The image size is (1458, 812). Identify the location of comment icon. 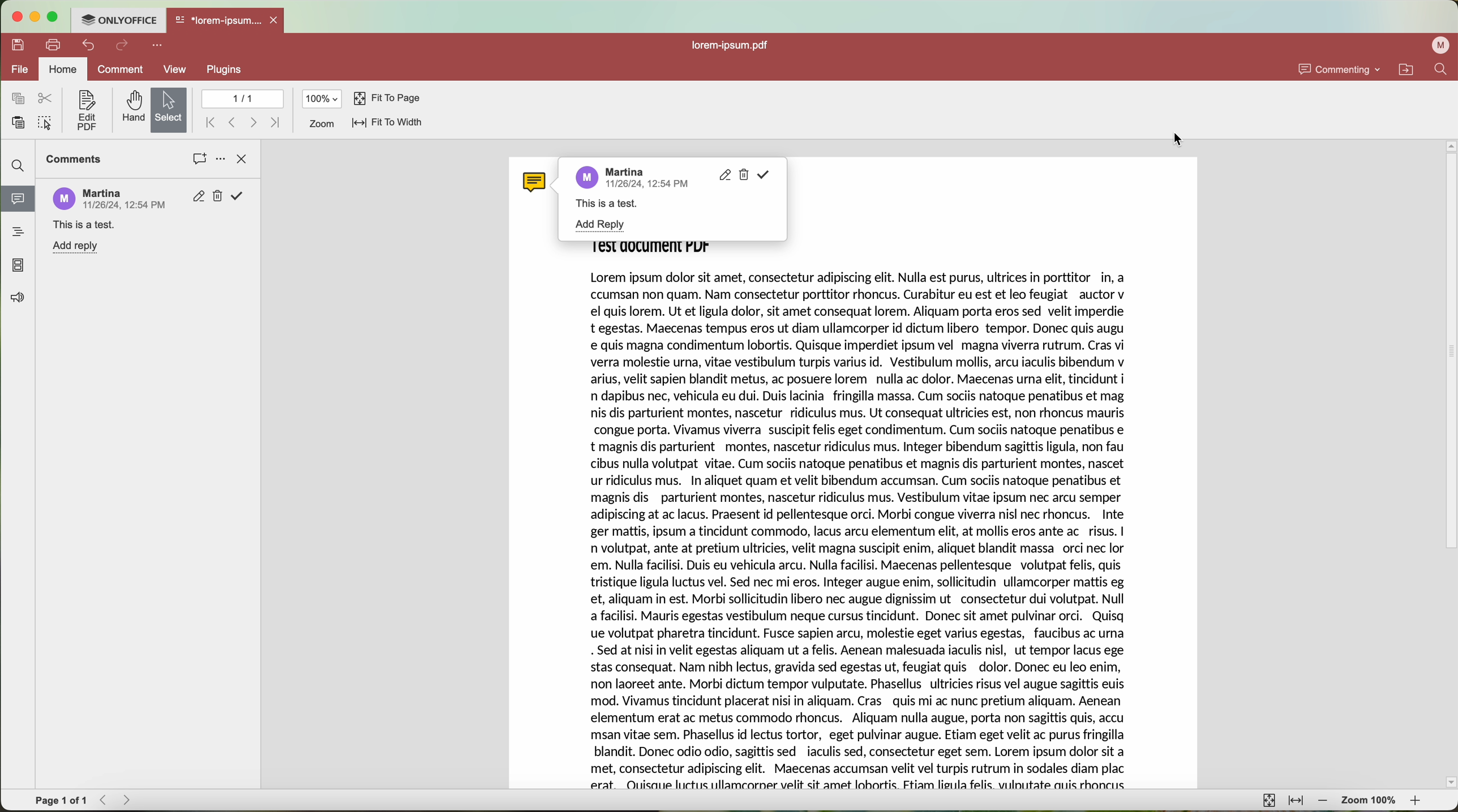
(533, 182).